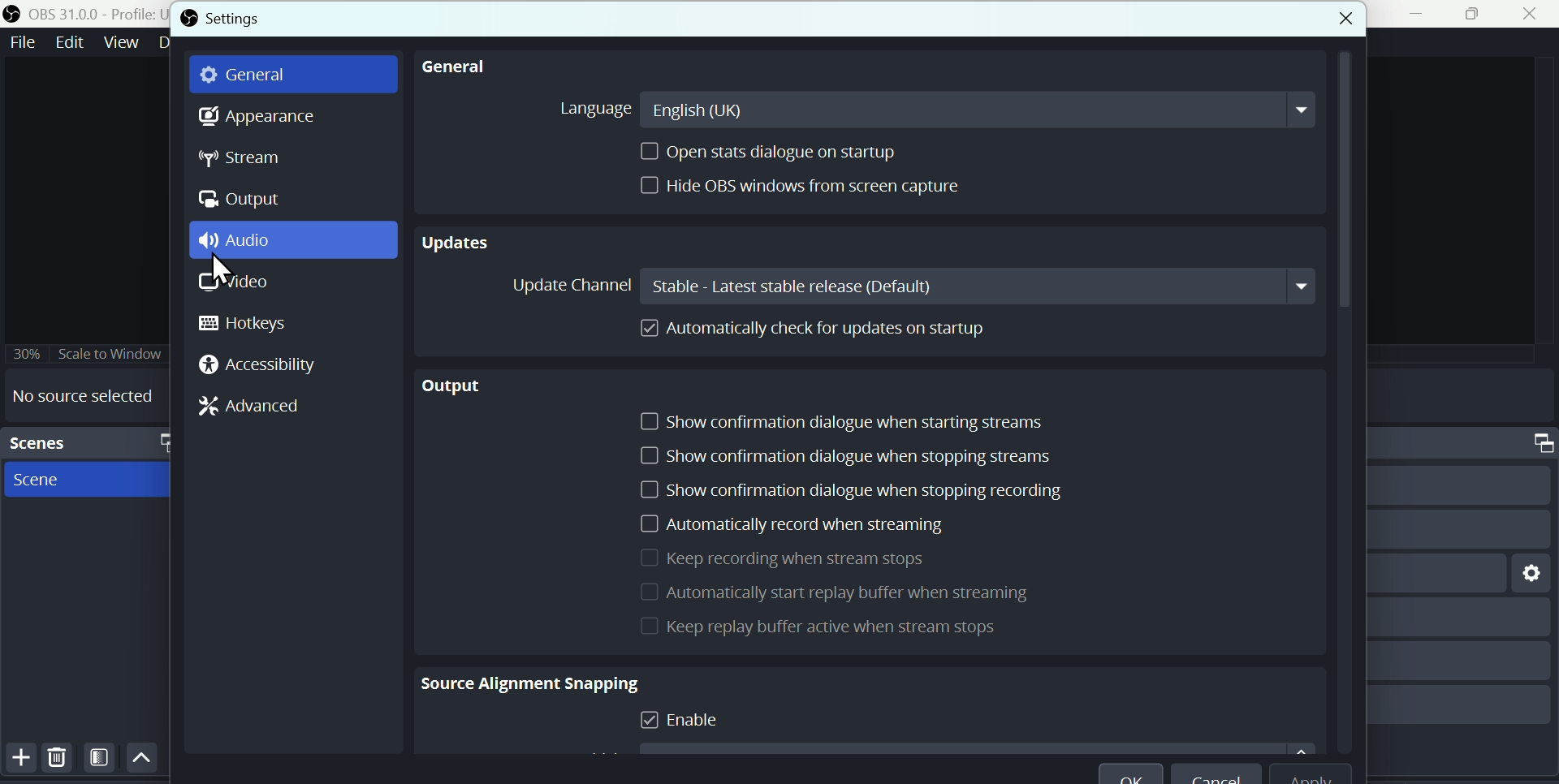  I want to click on Views, so click(123, 41).